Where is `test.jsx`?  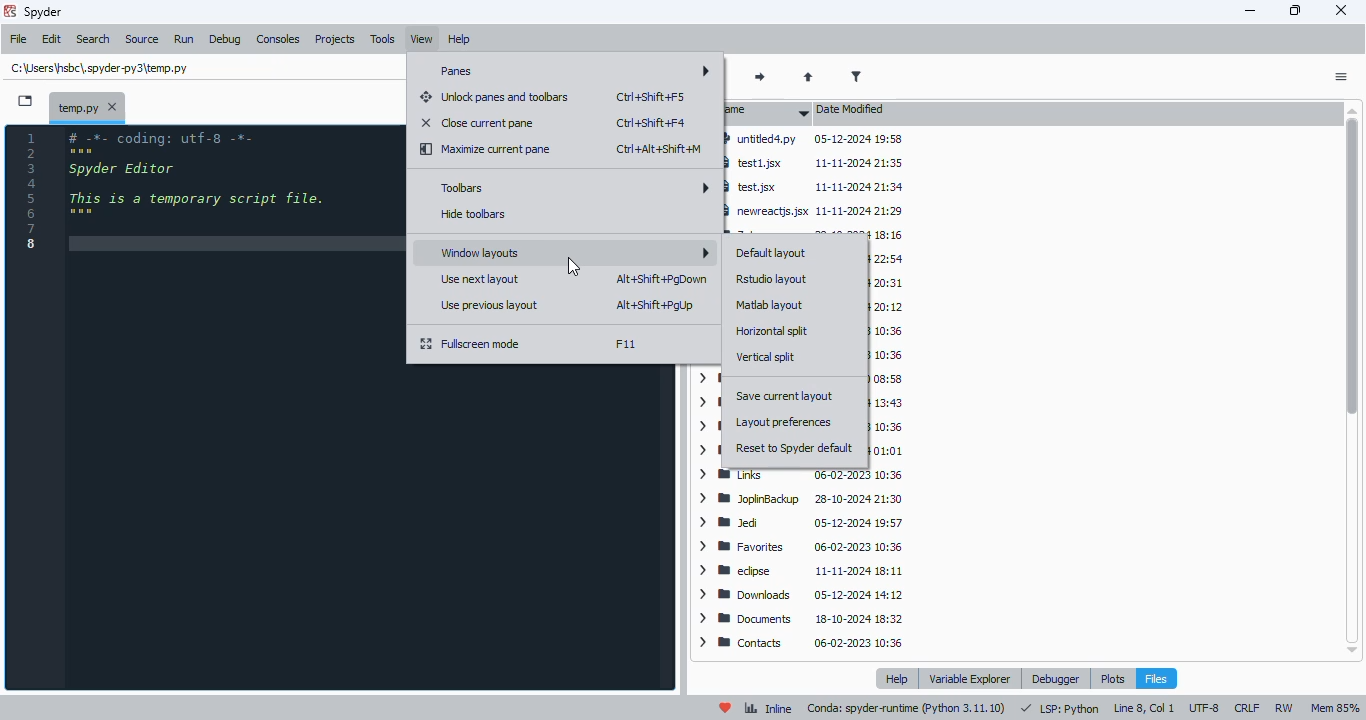 test.jsx is located at coordinates (817, 185).